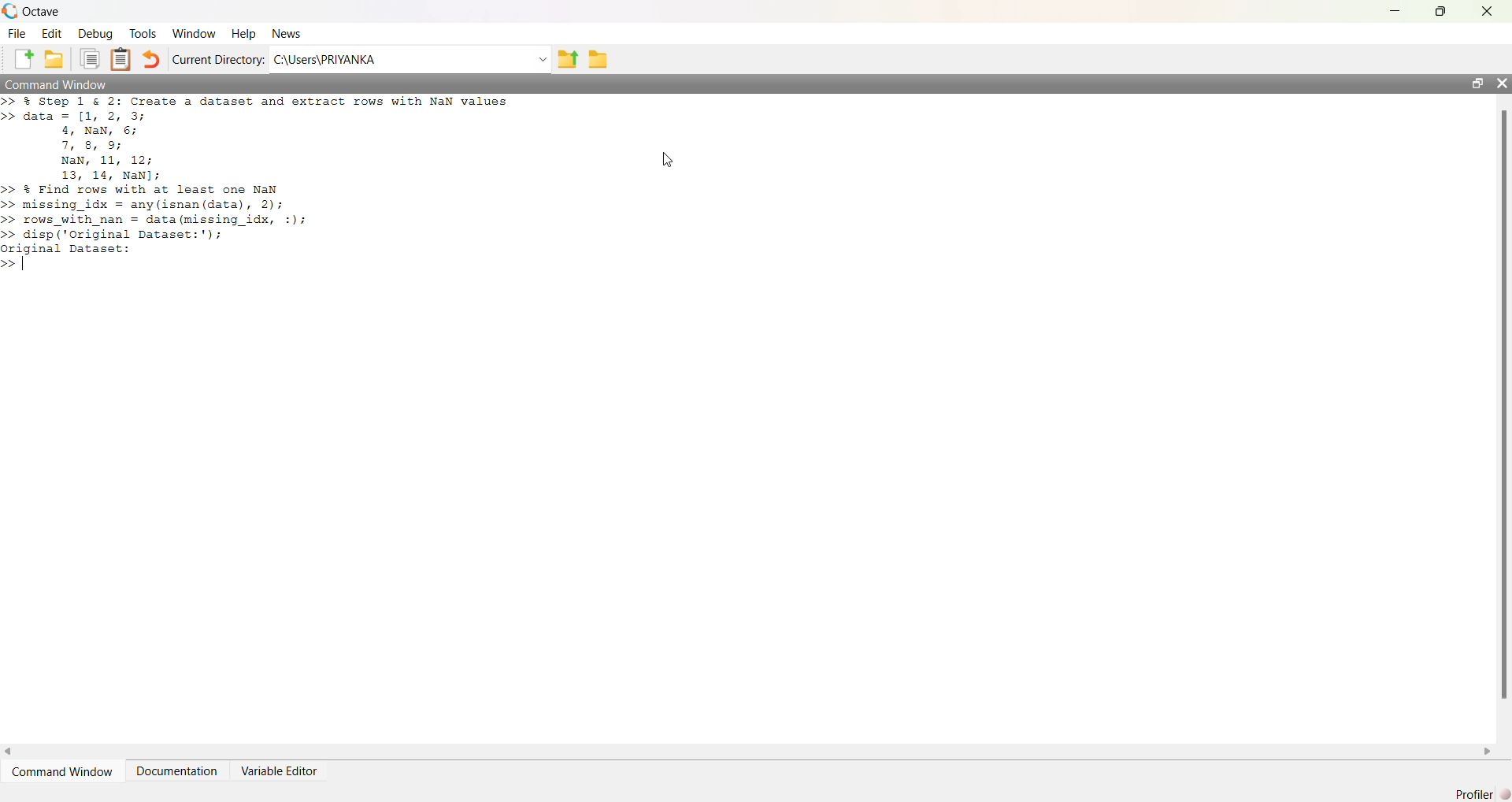  Describe the element at coordinates (176, 771) in the screenshot. I see `Documentation` at that location.